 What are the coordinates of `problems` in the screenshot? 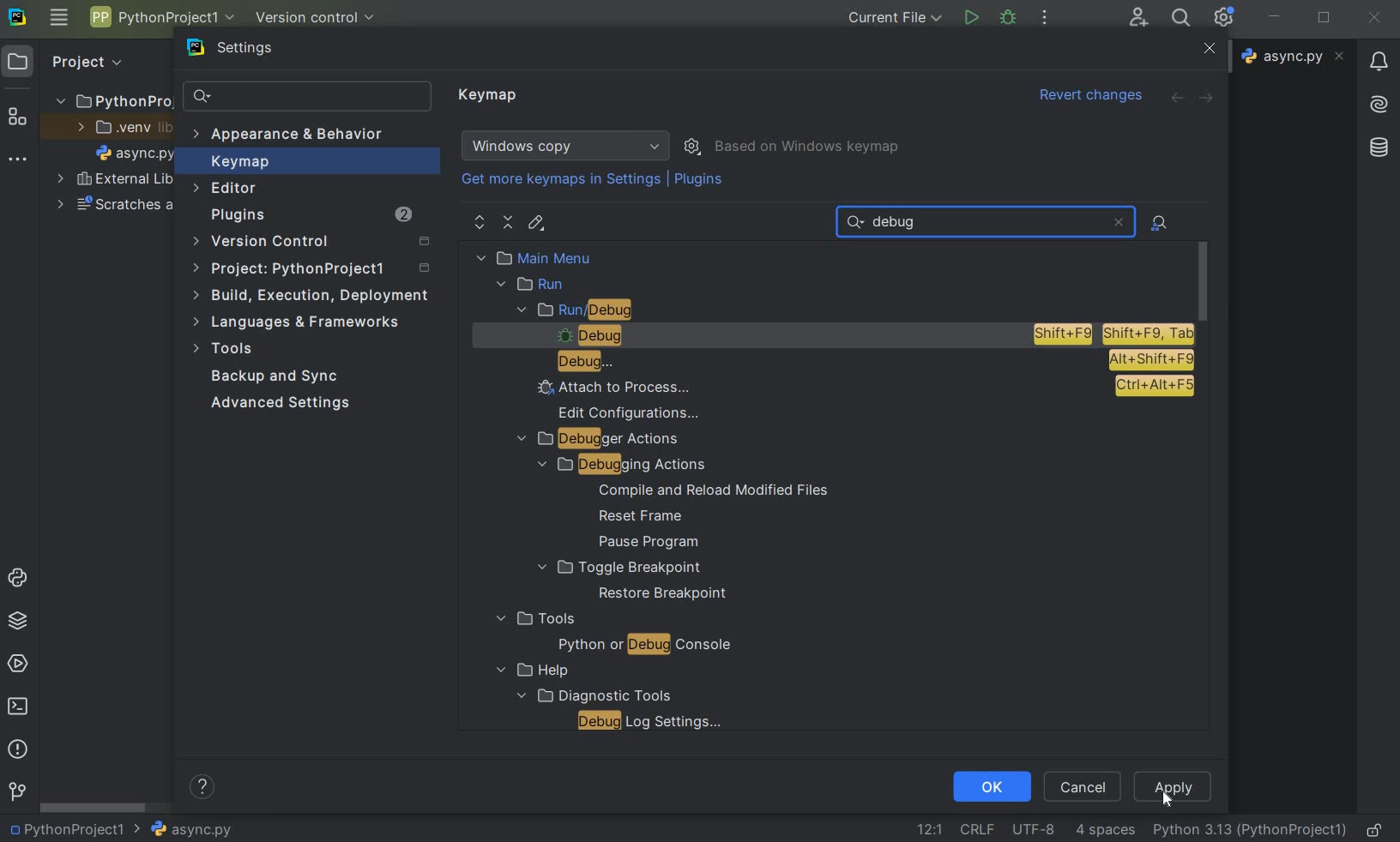 It's located at (16, 748).